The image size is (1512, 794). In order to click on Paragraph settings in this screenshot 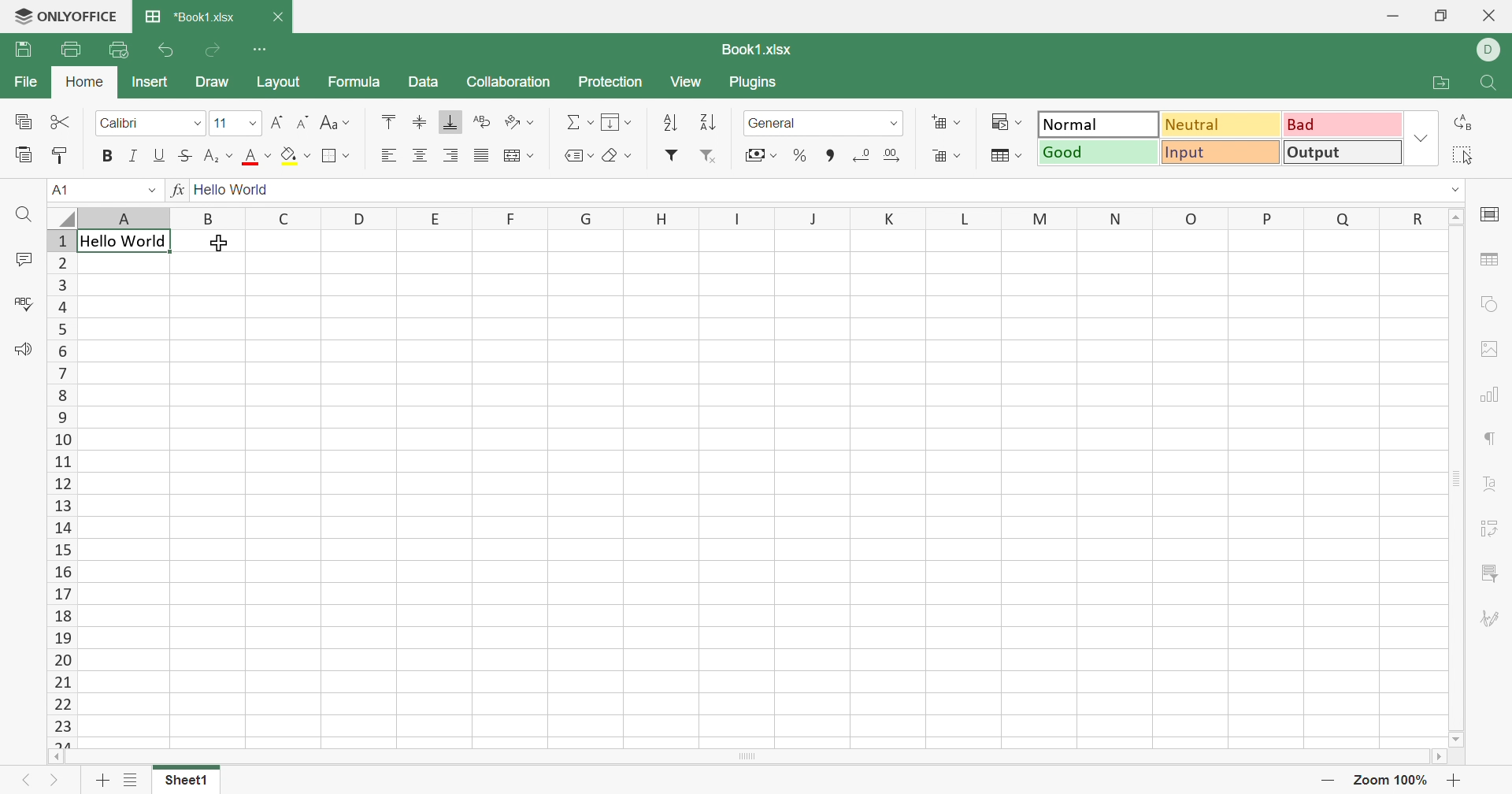, I will do `click(1488, 440)`.